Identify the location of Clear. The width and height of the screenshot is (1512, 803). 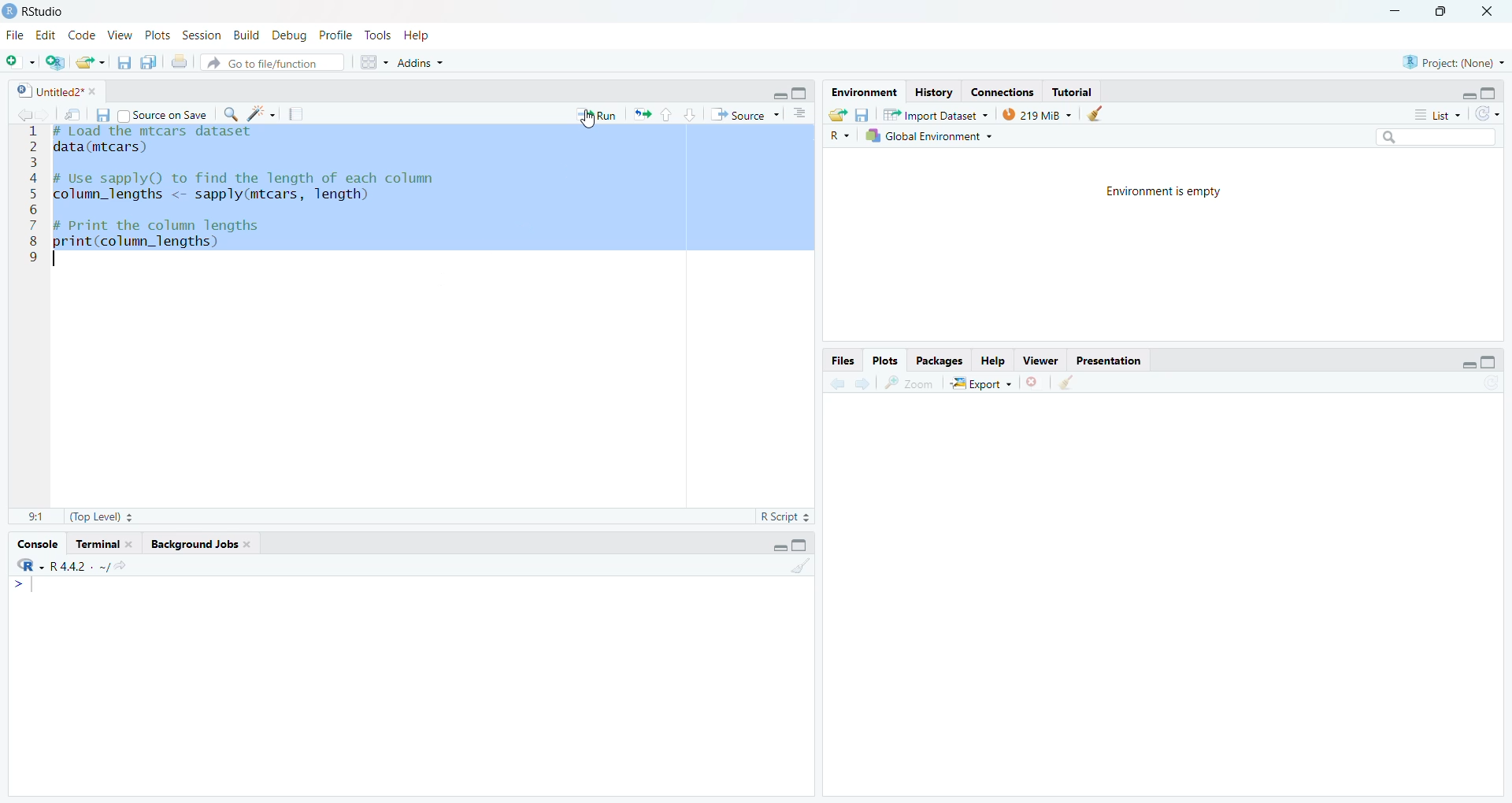
(1100, 113).